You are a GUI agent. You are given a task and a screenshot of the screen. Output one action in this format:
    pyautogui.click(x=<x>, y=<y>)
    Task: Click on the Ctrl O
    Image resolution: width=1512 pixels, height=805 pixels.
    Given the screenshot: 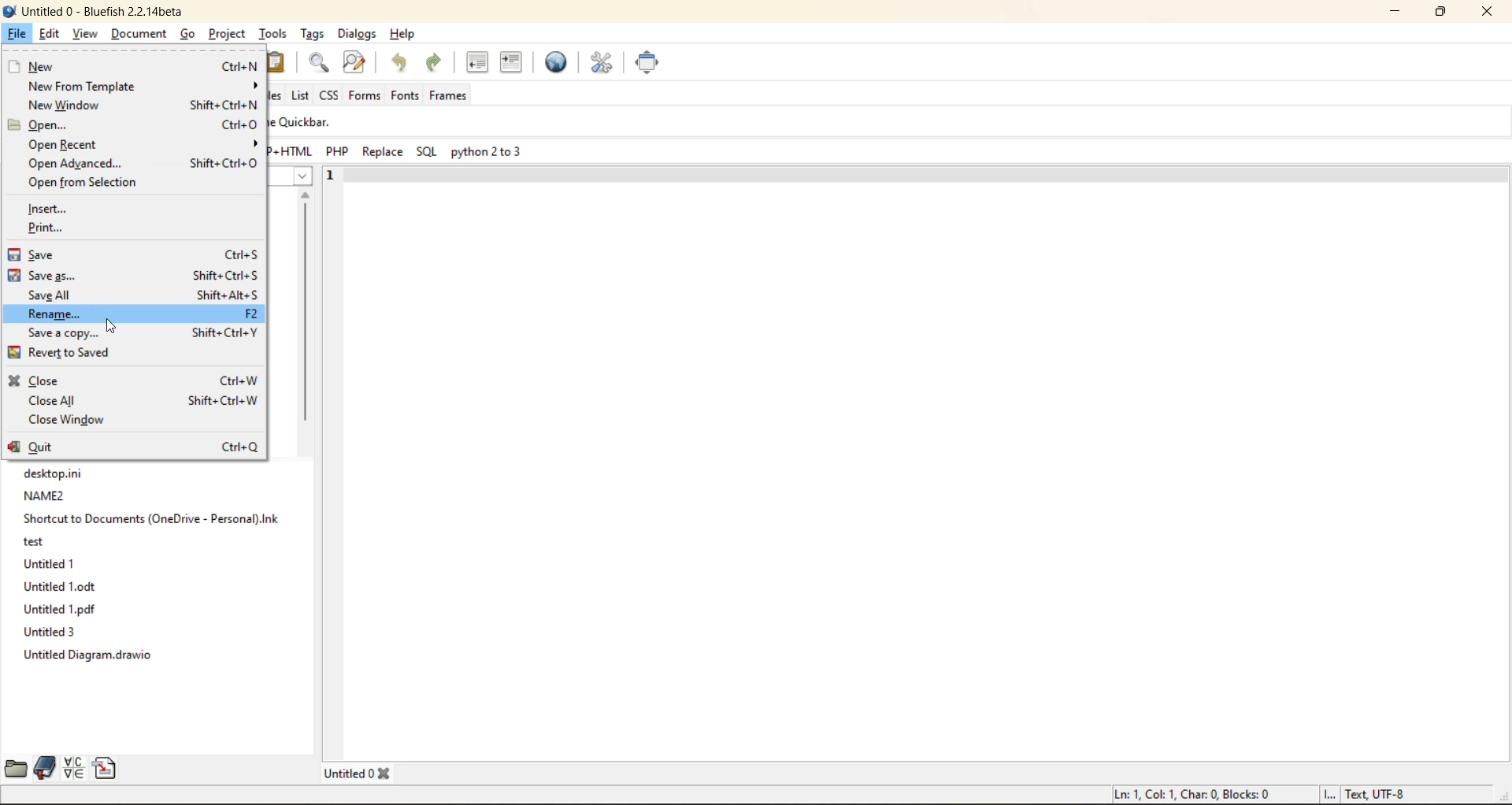 What is the action you would take?
    pyautogui.click(x=237, y=122)
    